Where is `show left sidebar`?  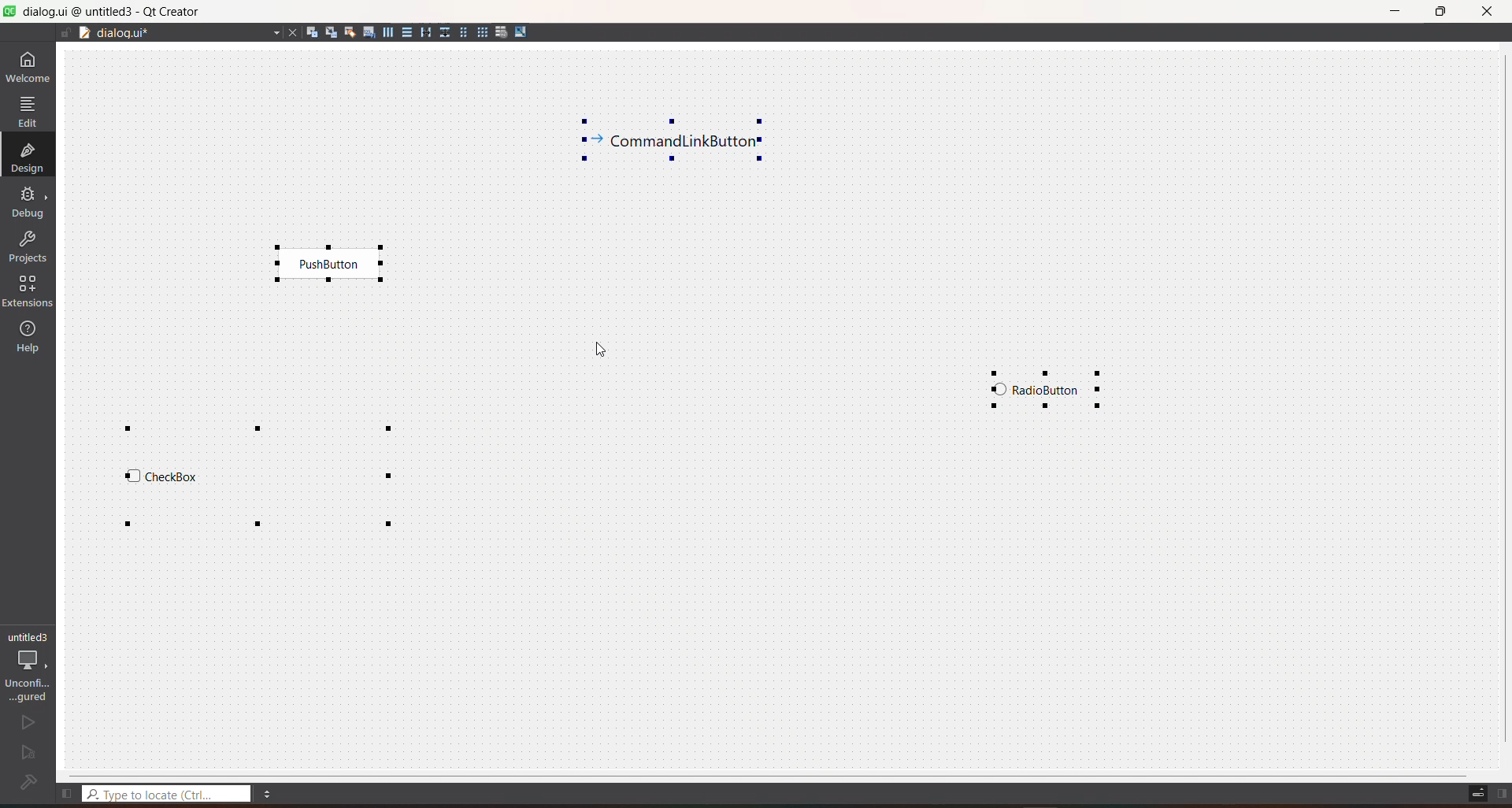 show left sidebar is located at coordinates (69, 794).